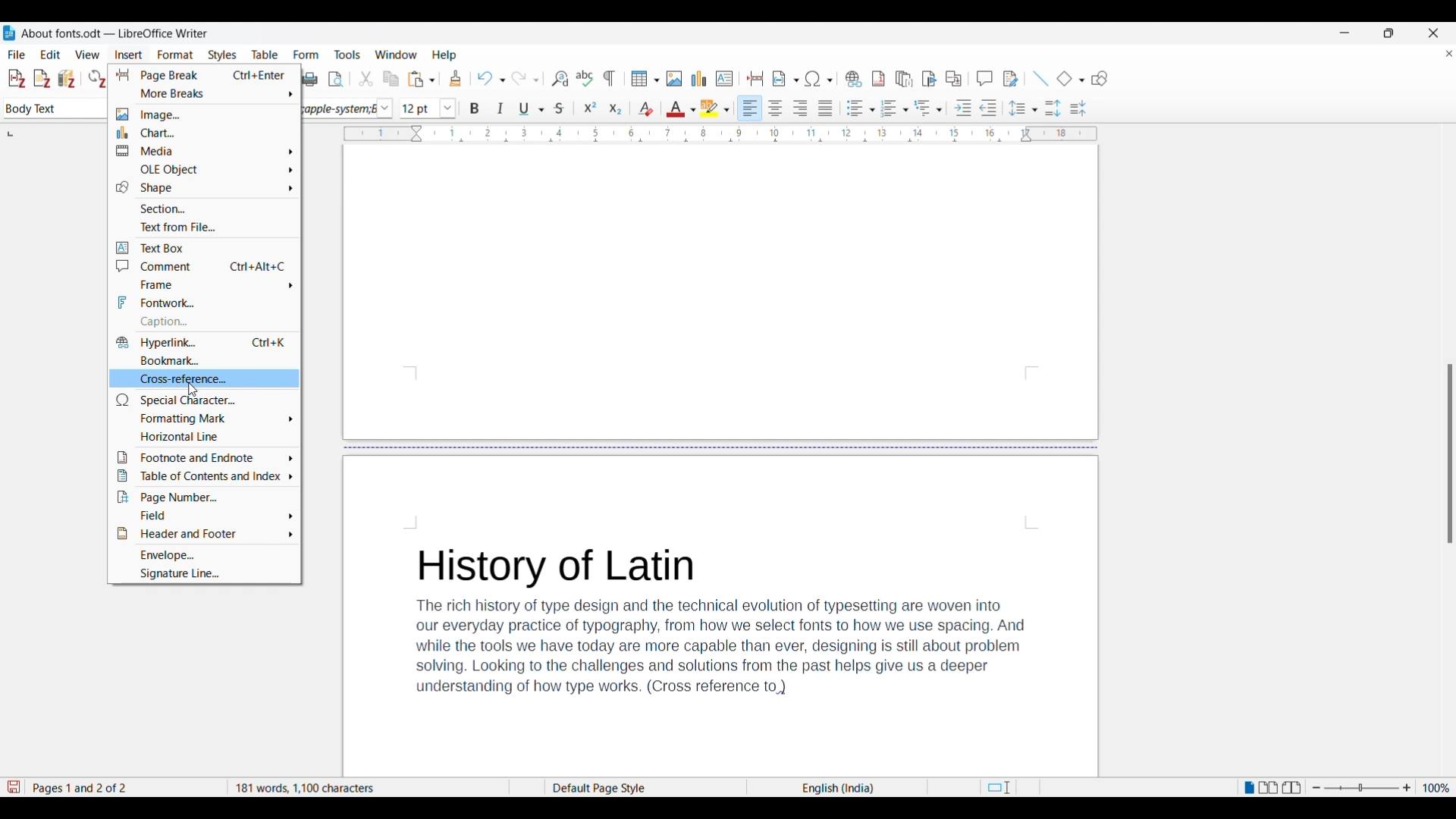  Describe the element at coordinates (204, 248) in the screenshot. I see `Text box` at that location.